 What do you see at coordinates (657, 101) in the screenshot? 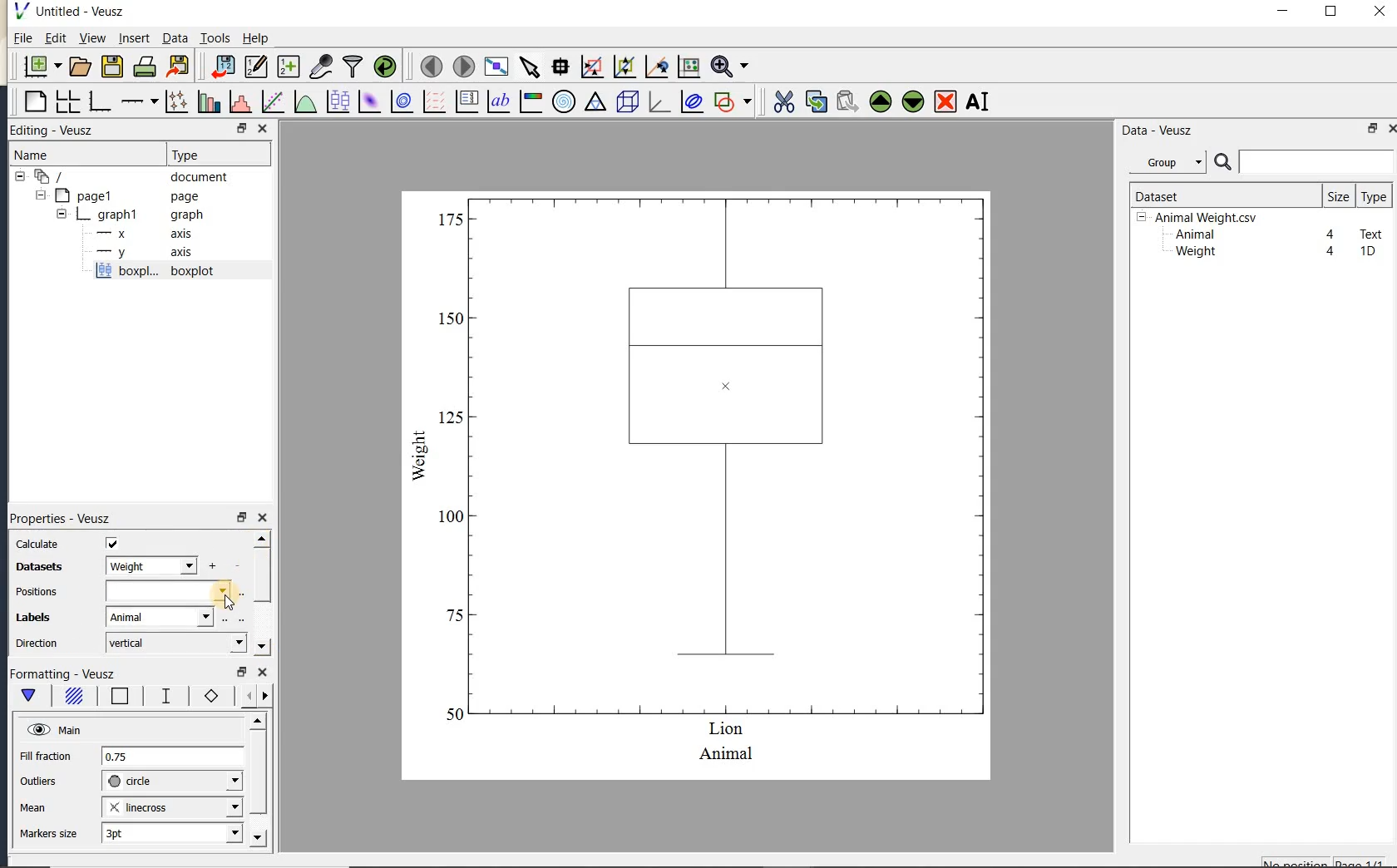
I see `3d graph` at bounding box center [657, 101].